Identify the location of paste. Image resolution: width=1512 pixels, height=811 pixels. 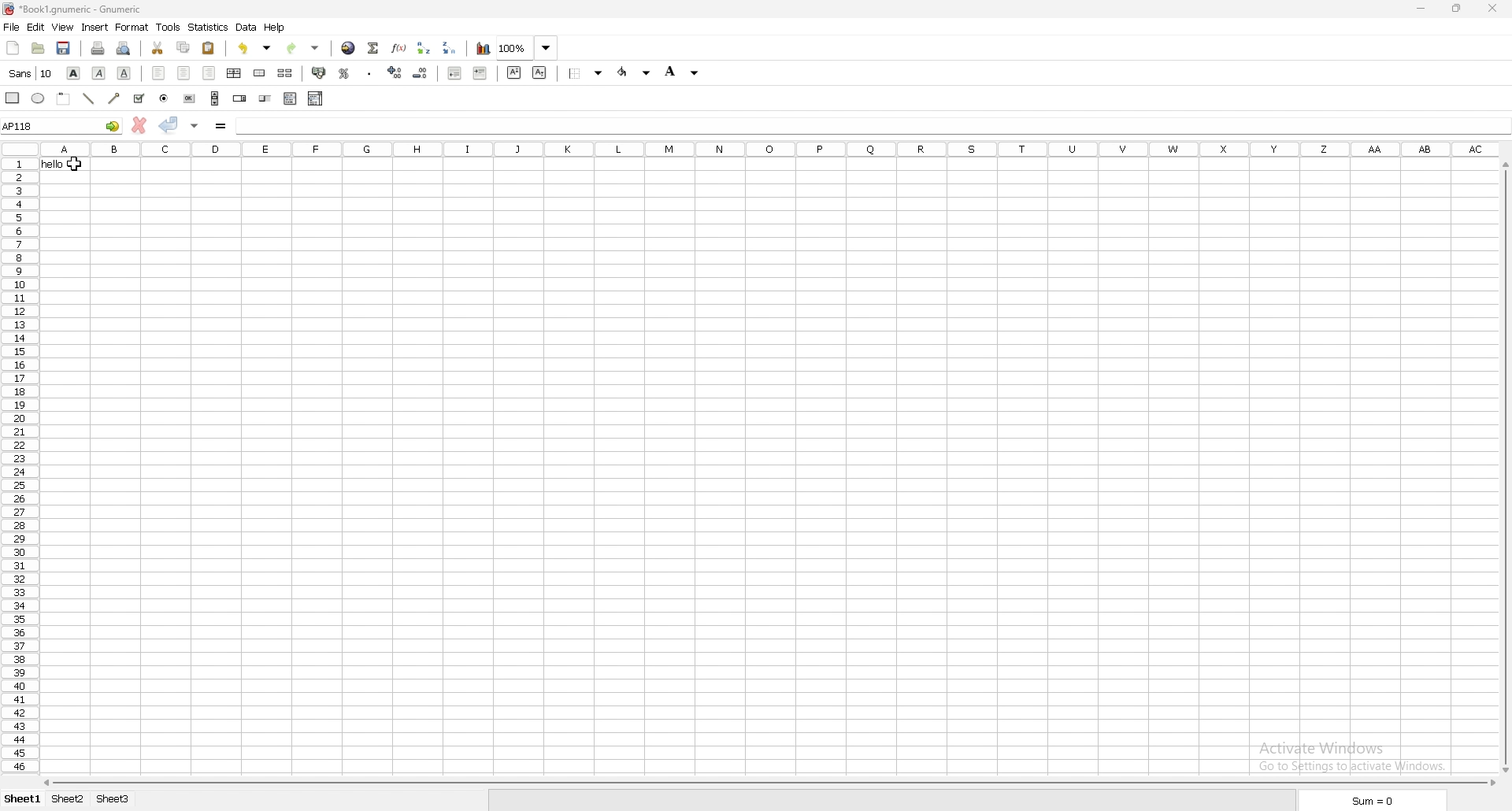
(209, 48).